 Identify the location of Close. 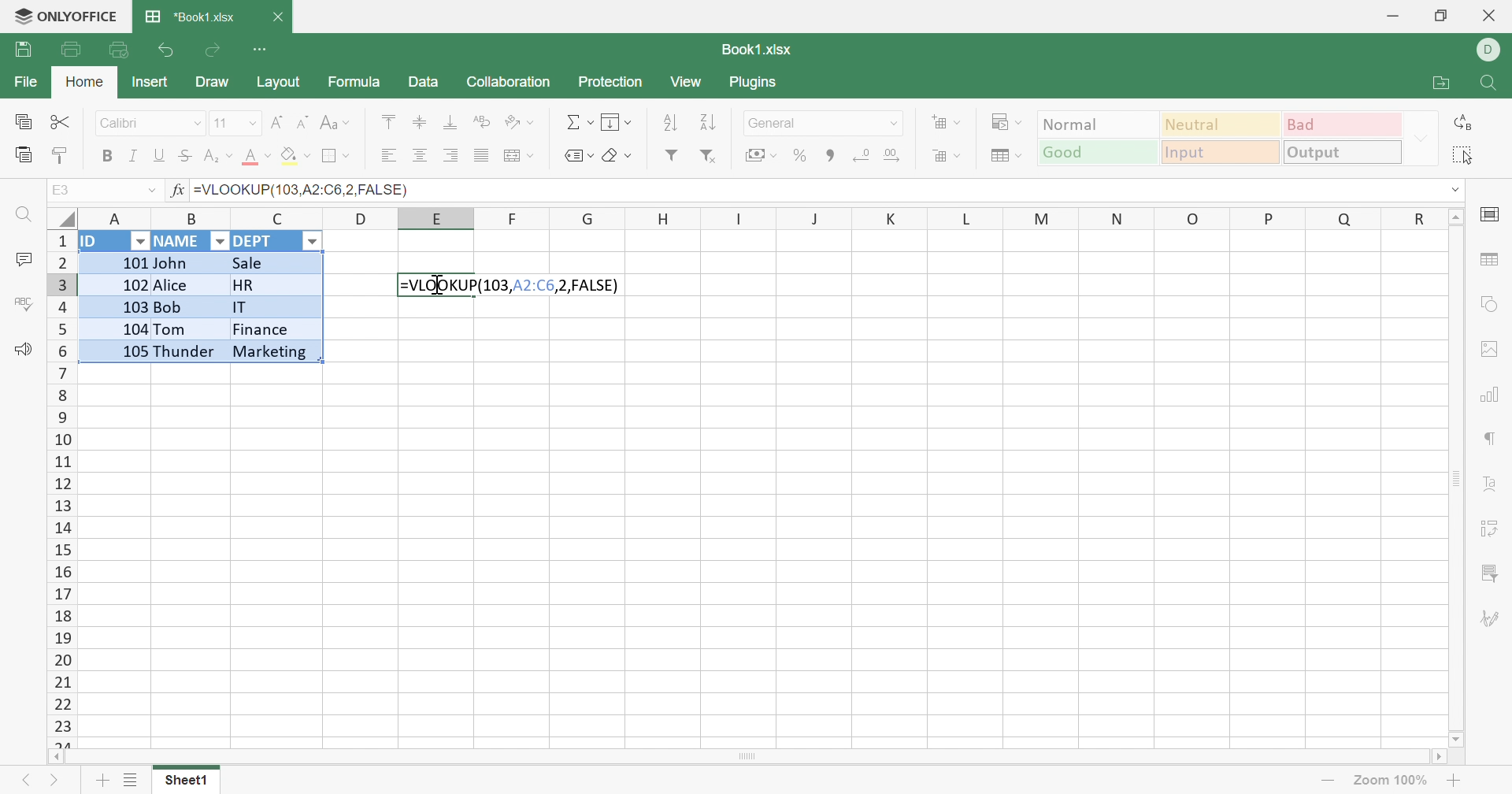
(280, 15).